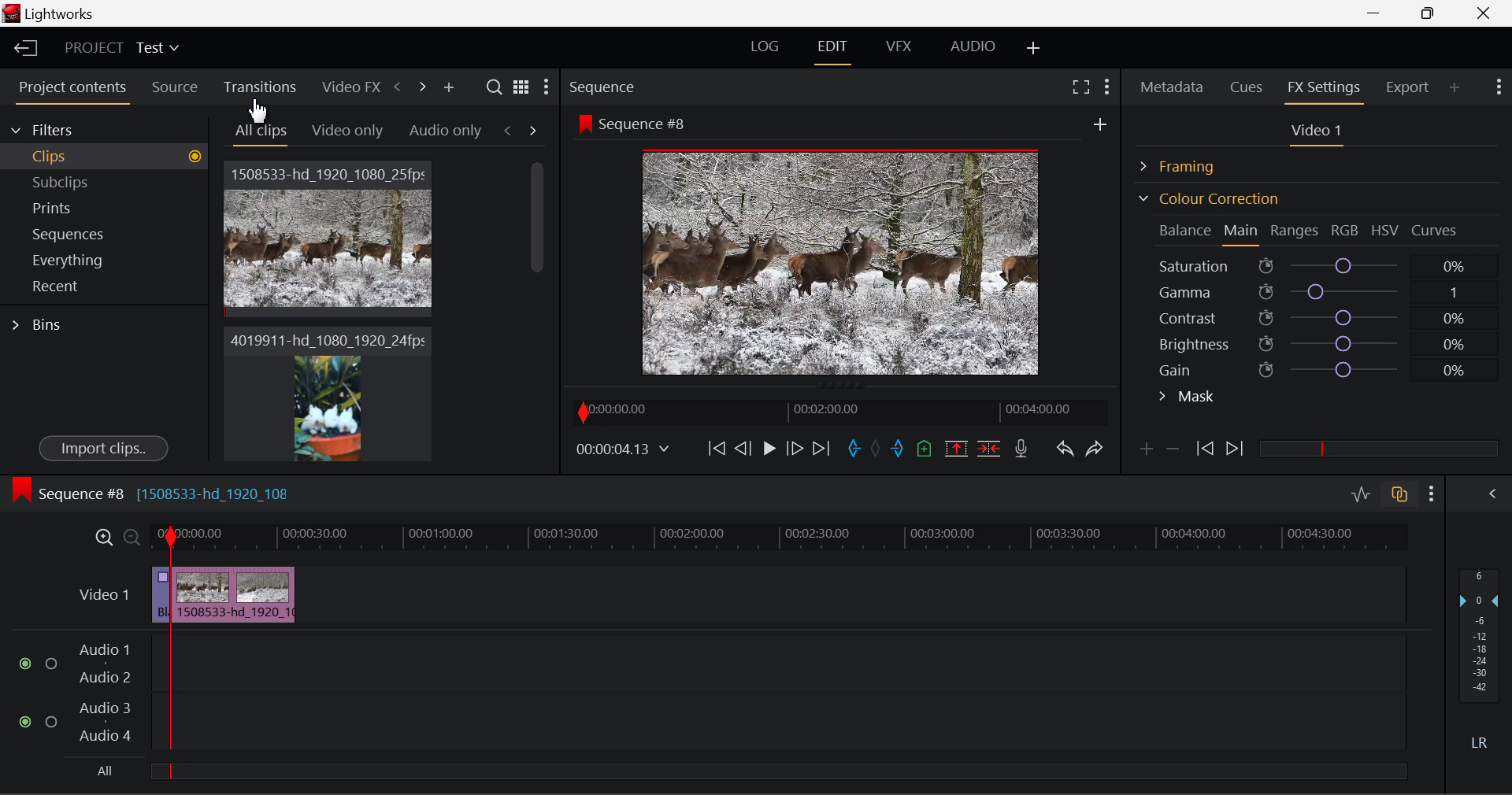 This screenshot has width=1512, height=795. What do you see at coordinates (767, 449) in the screenshot?
I see `Play` at bounding box center [767, 449].